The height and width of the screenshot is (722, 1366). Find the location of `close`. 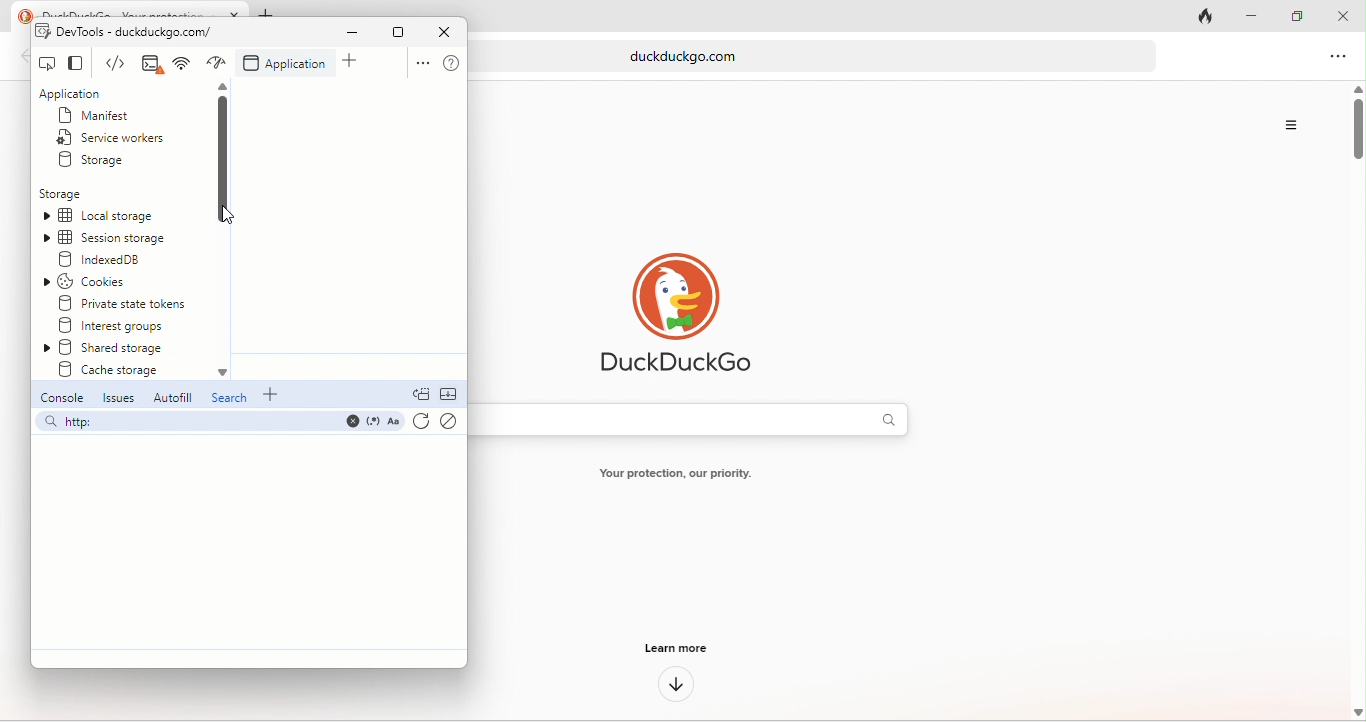

close is located at coordinates (1344, 17).